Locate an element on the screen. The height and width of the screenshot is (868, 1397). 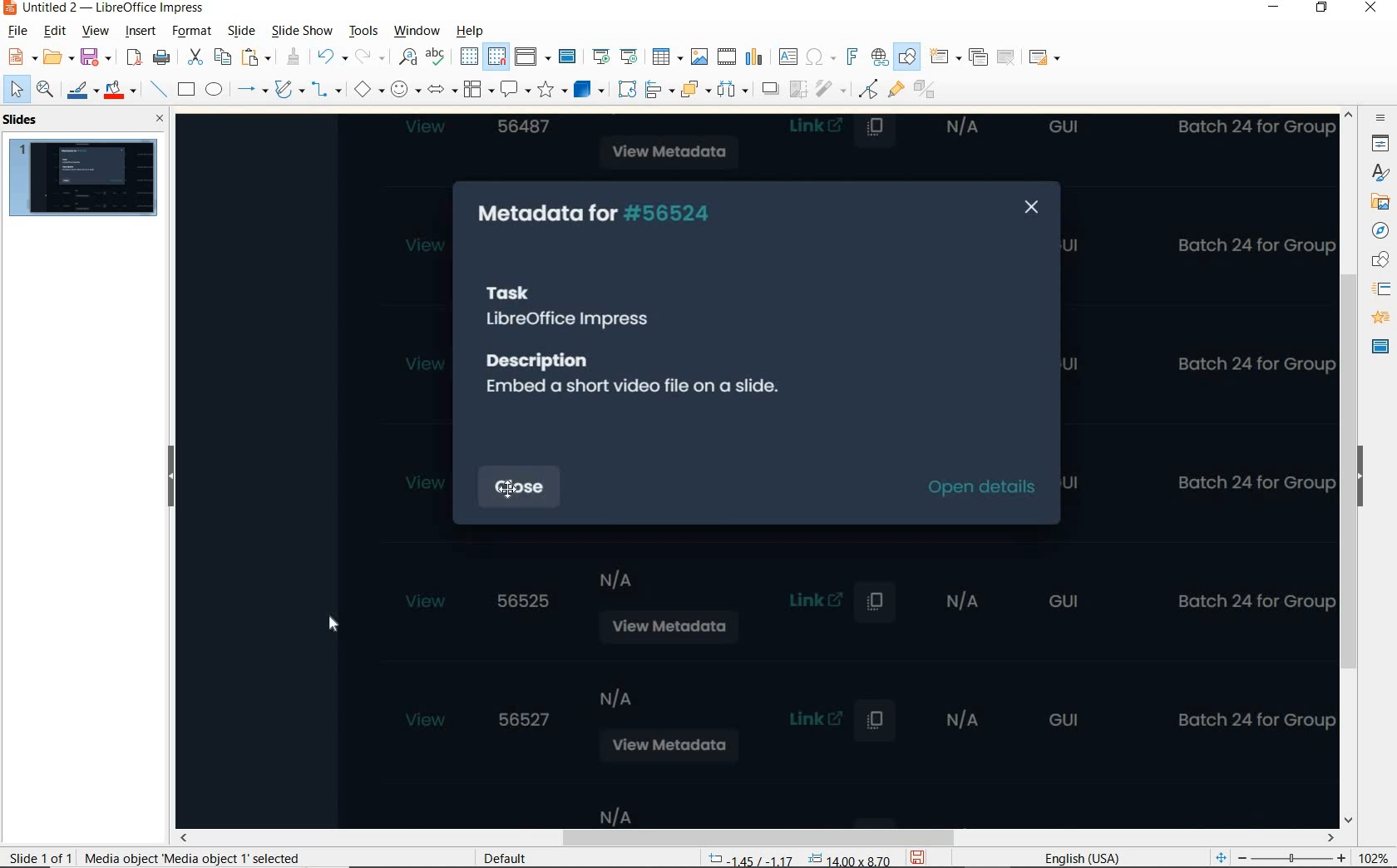
TOGGLE POINT EDIT MODE is located at coordinates (870, 89).